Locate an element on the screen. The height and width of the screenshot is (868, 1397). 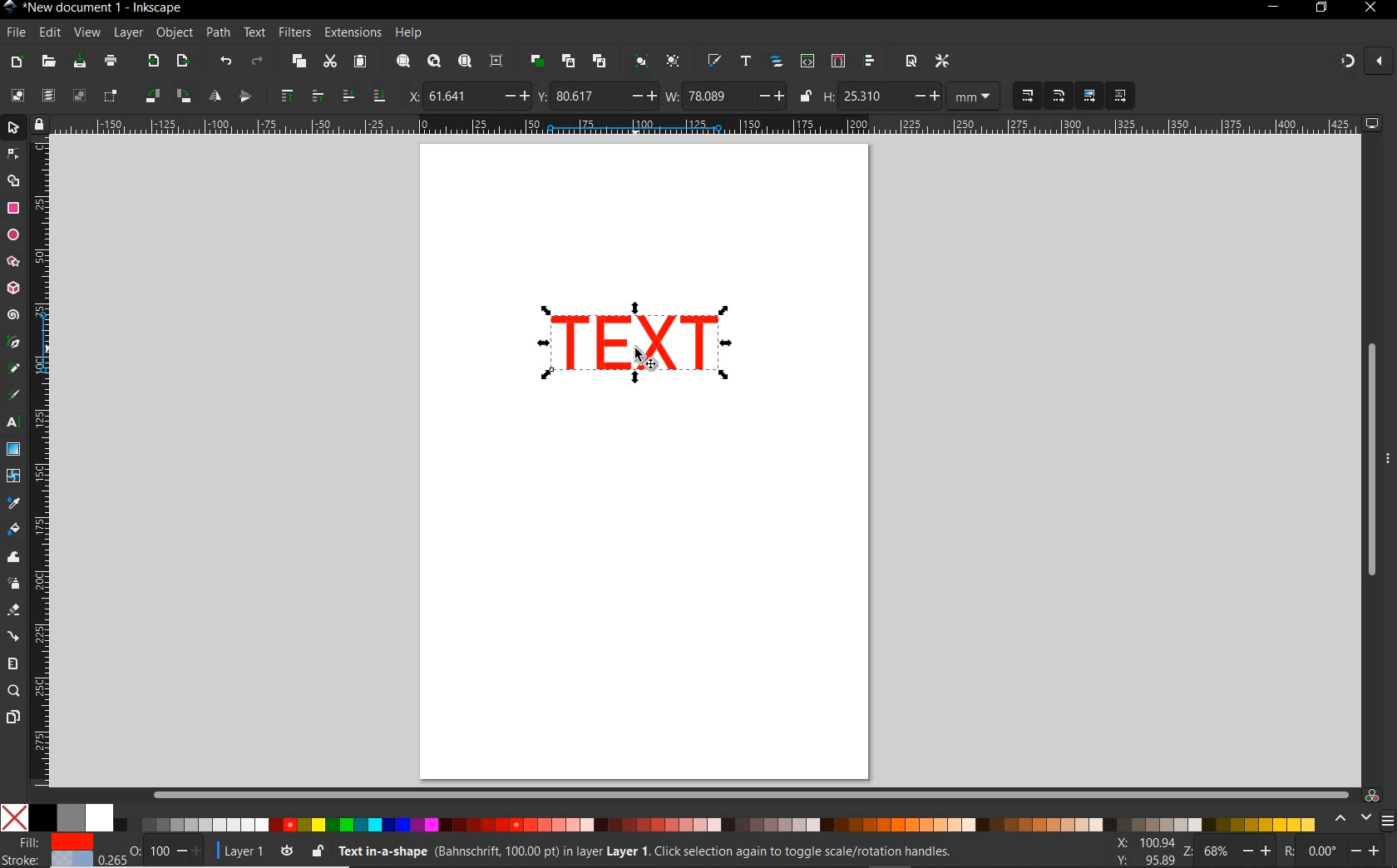
unlink code is located at coordinates (596, 61).